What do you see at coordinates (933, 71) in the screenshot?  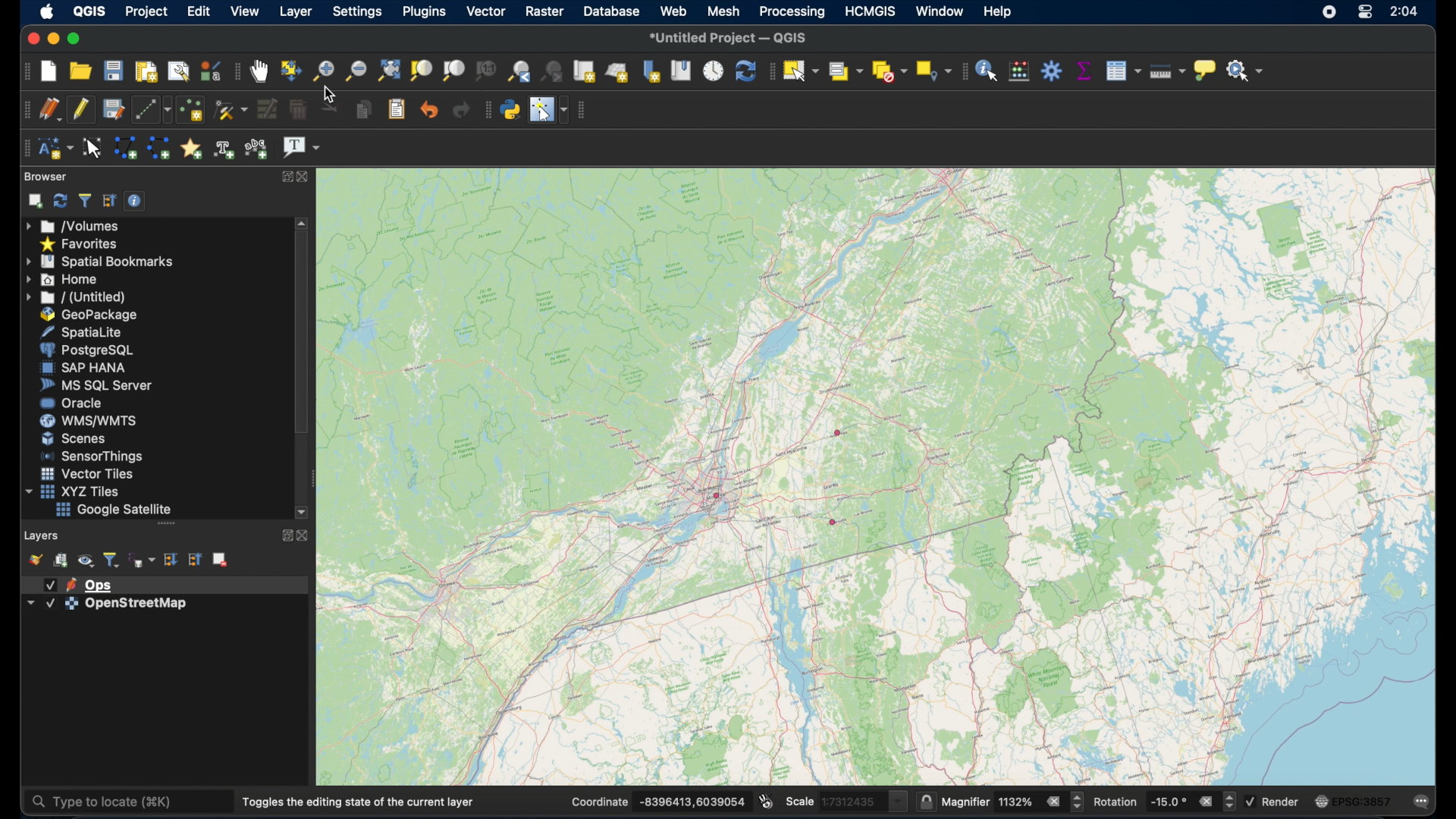 I see `select key location` at bounding box center [933, 71].